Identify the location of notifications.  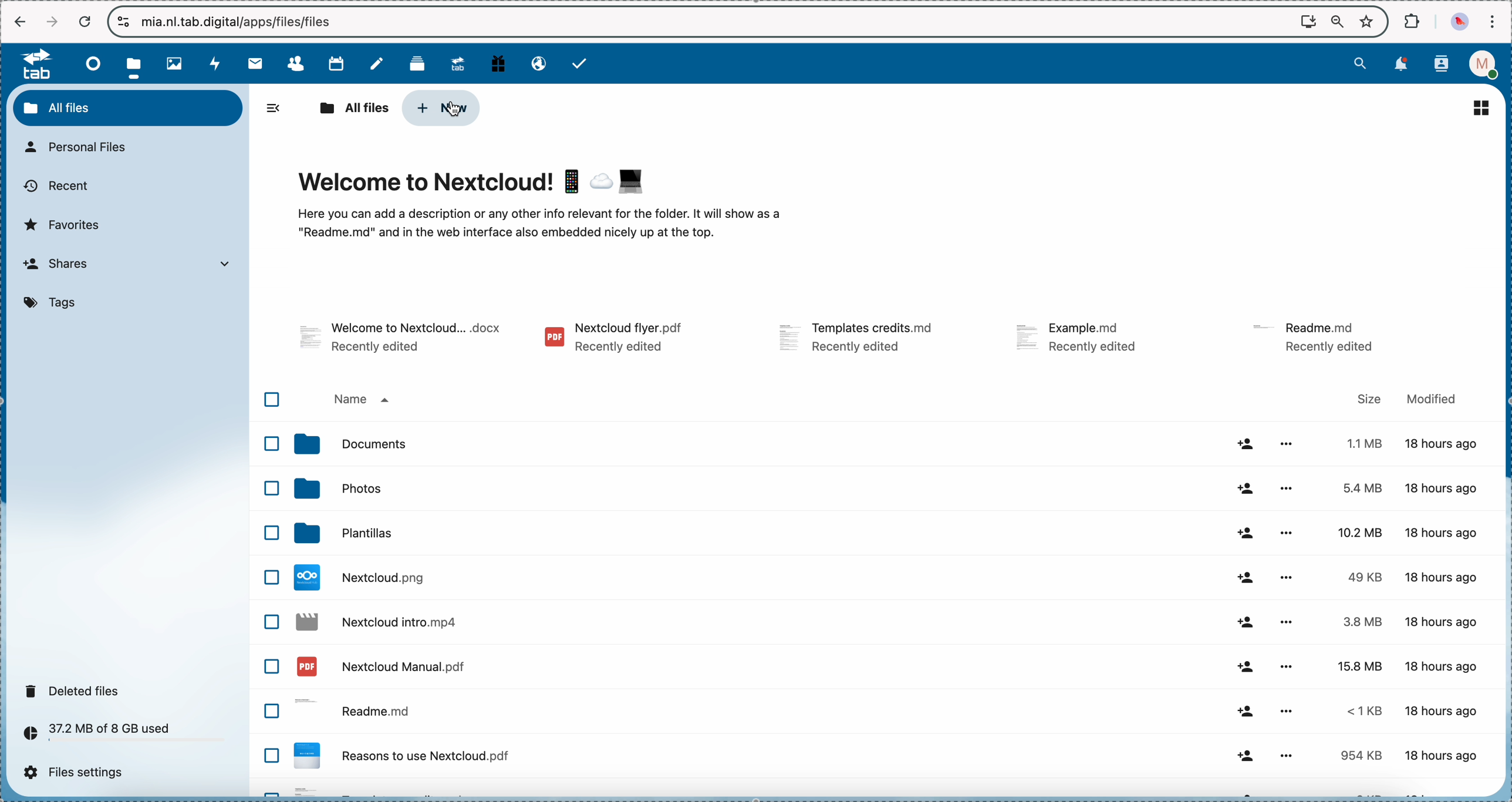
(1399, 65).